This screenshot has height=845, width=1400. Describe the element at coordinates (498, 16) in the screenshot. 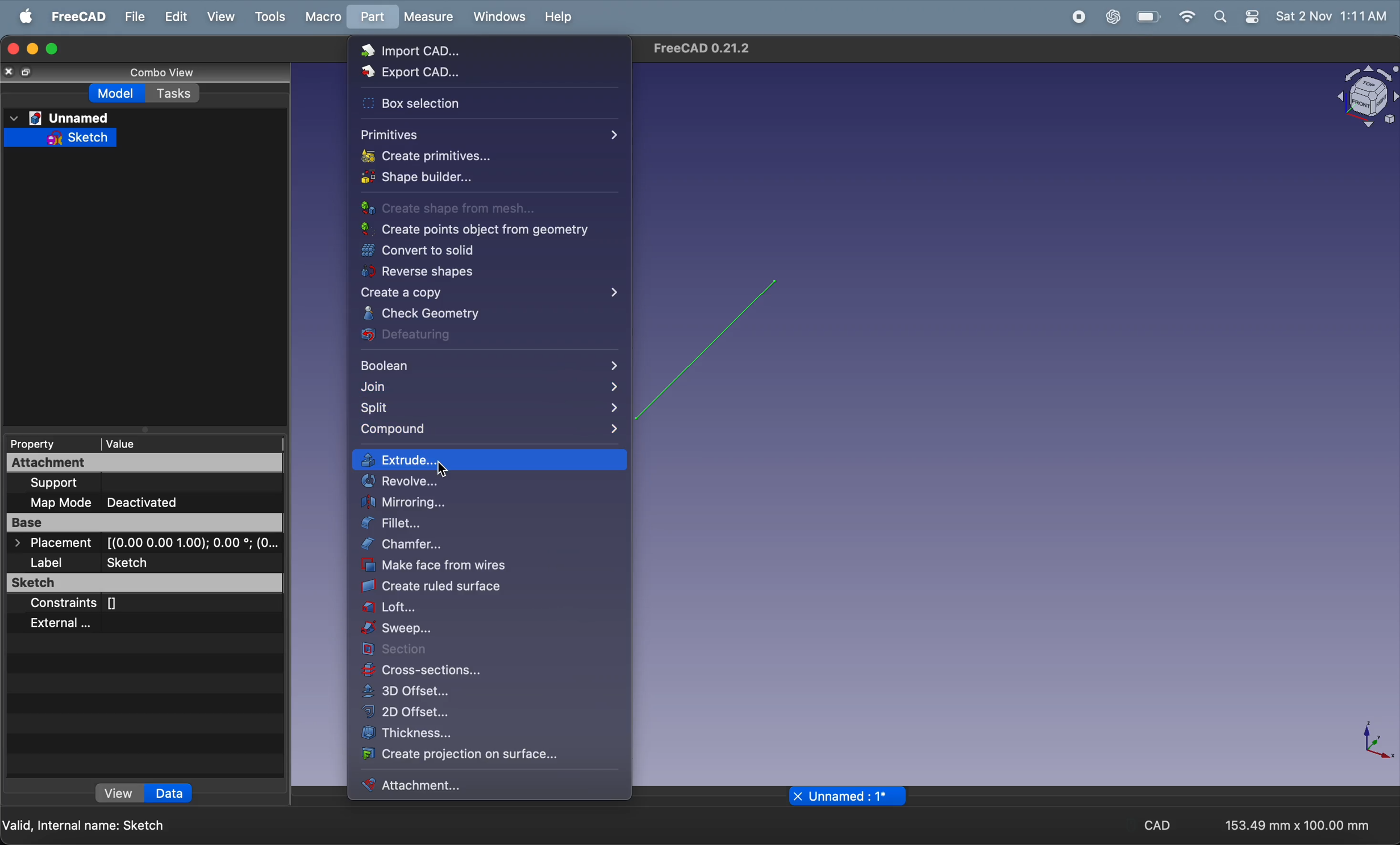

I see `windows` at that location.